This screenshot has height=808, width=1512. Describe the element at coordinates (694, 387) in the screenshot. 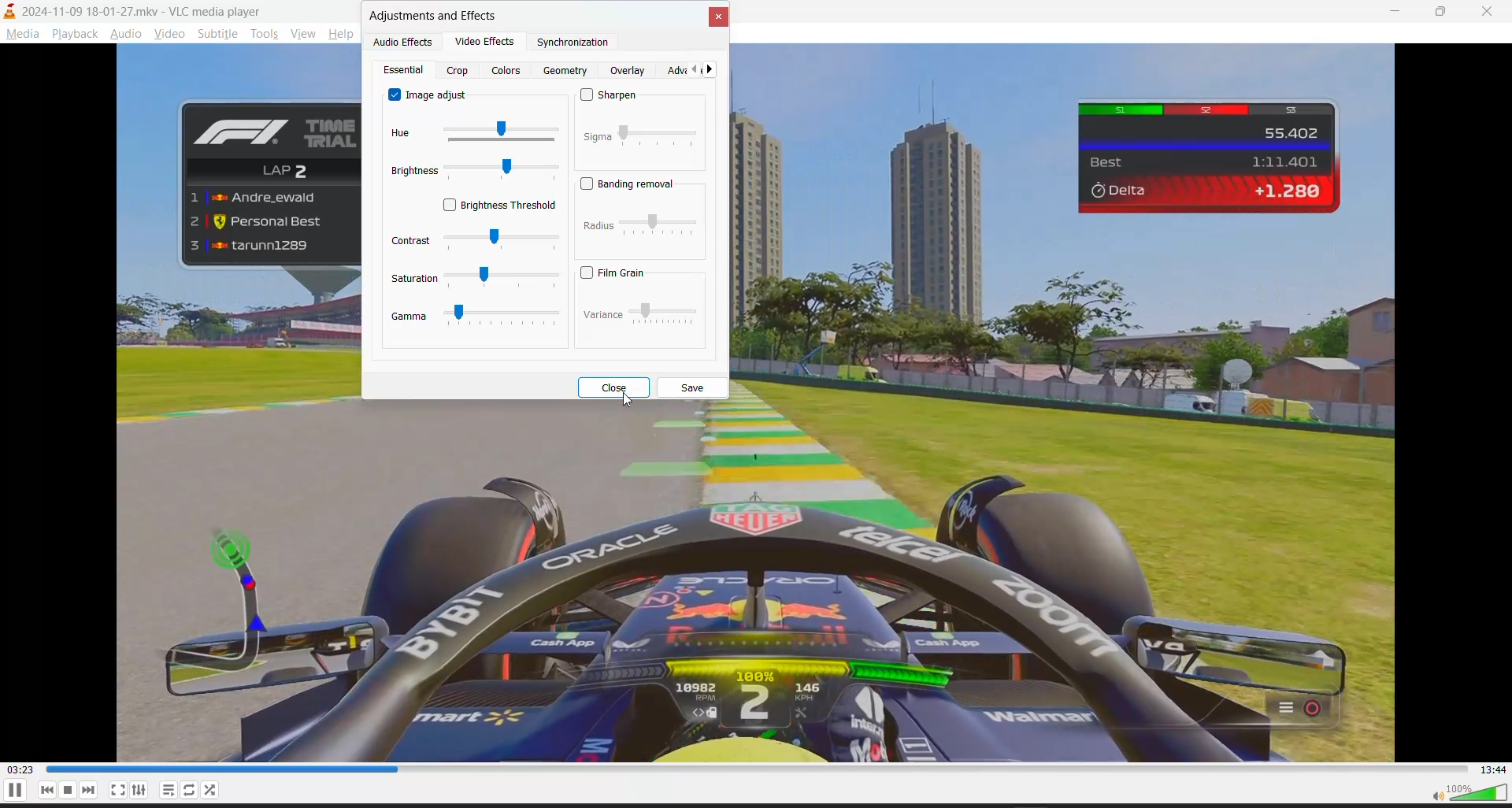

I see `save` at that location.